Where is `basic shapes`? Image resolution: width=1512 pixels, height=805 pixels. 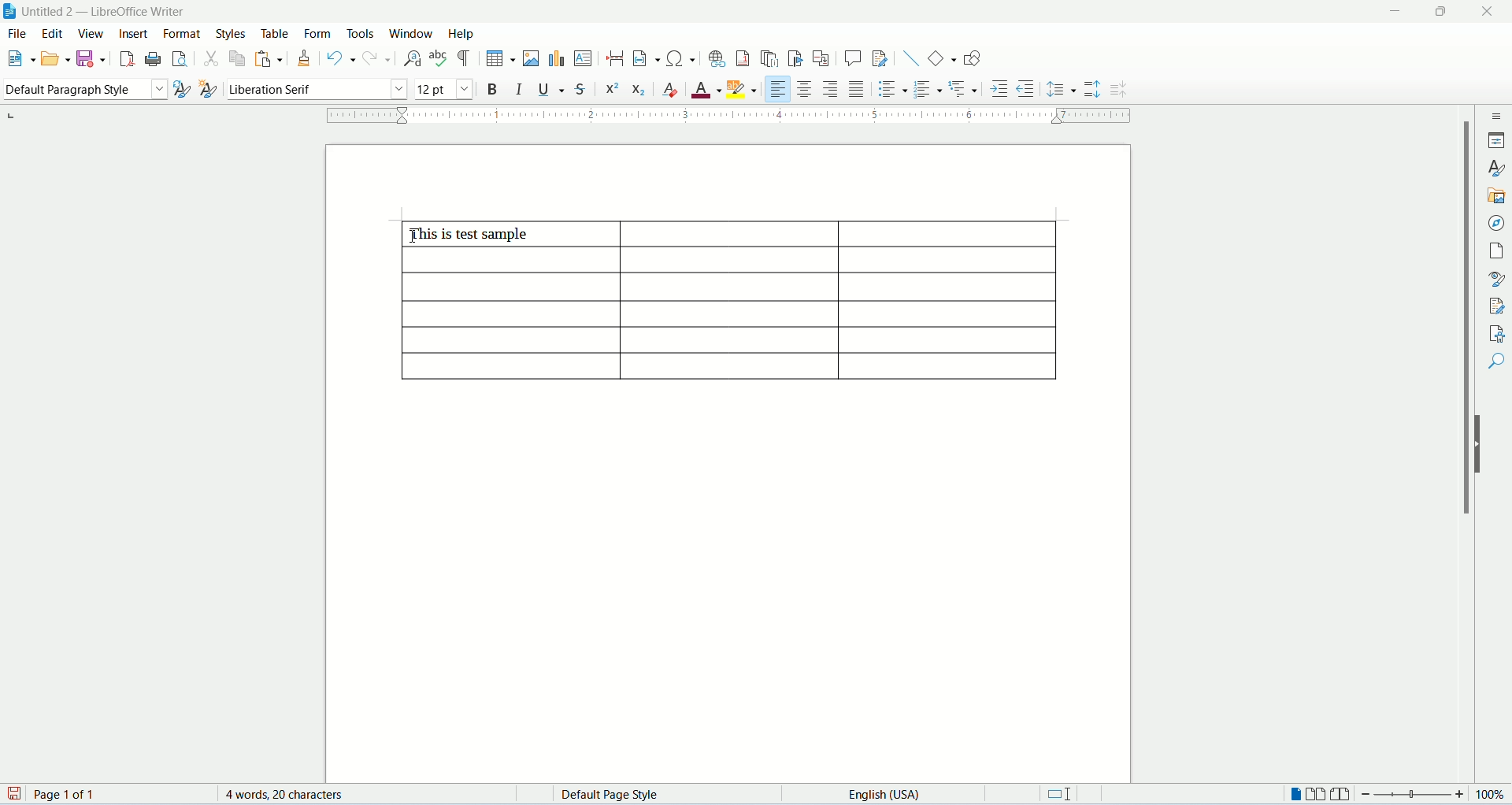 basic shapes is located at coordinates (943, 57).